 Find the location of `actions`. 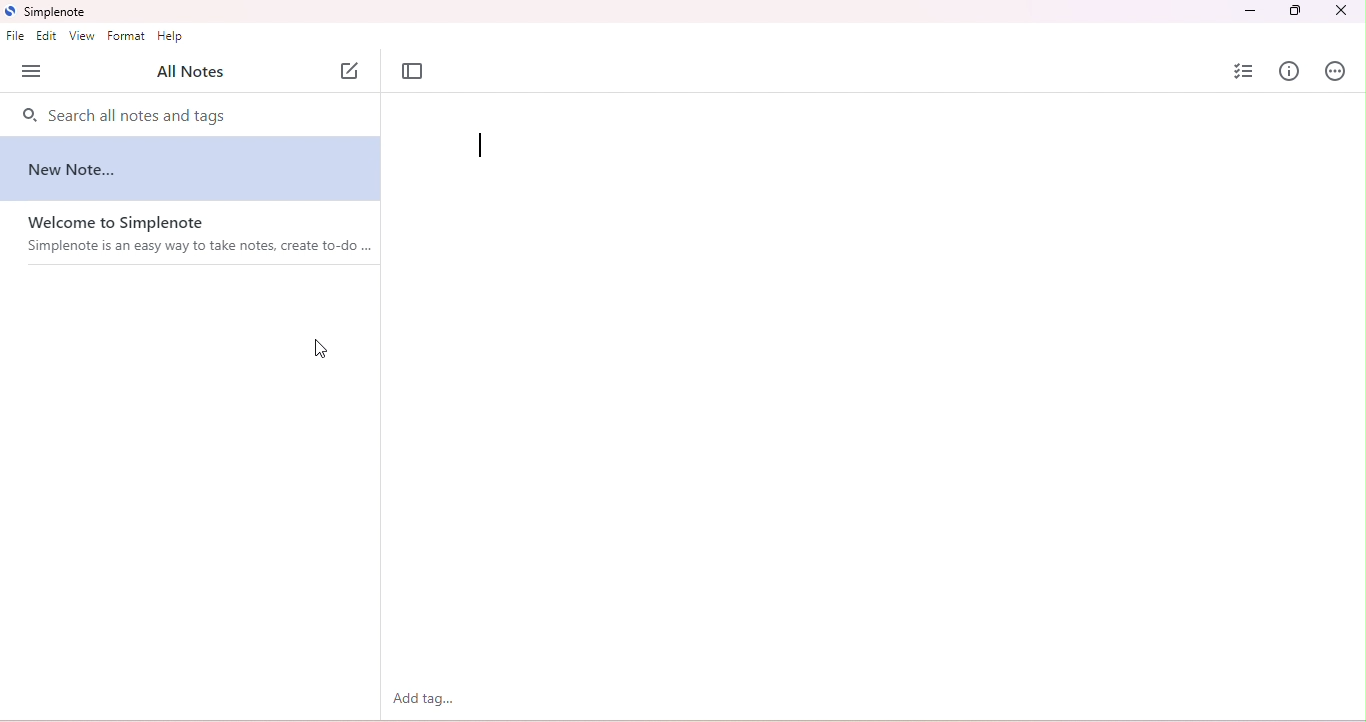

actions is located at coordinates (1337, 70).